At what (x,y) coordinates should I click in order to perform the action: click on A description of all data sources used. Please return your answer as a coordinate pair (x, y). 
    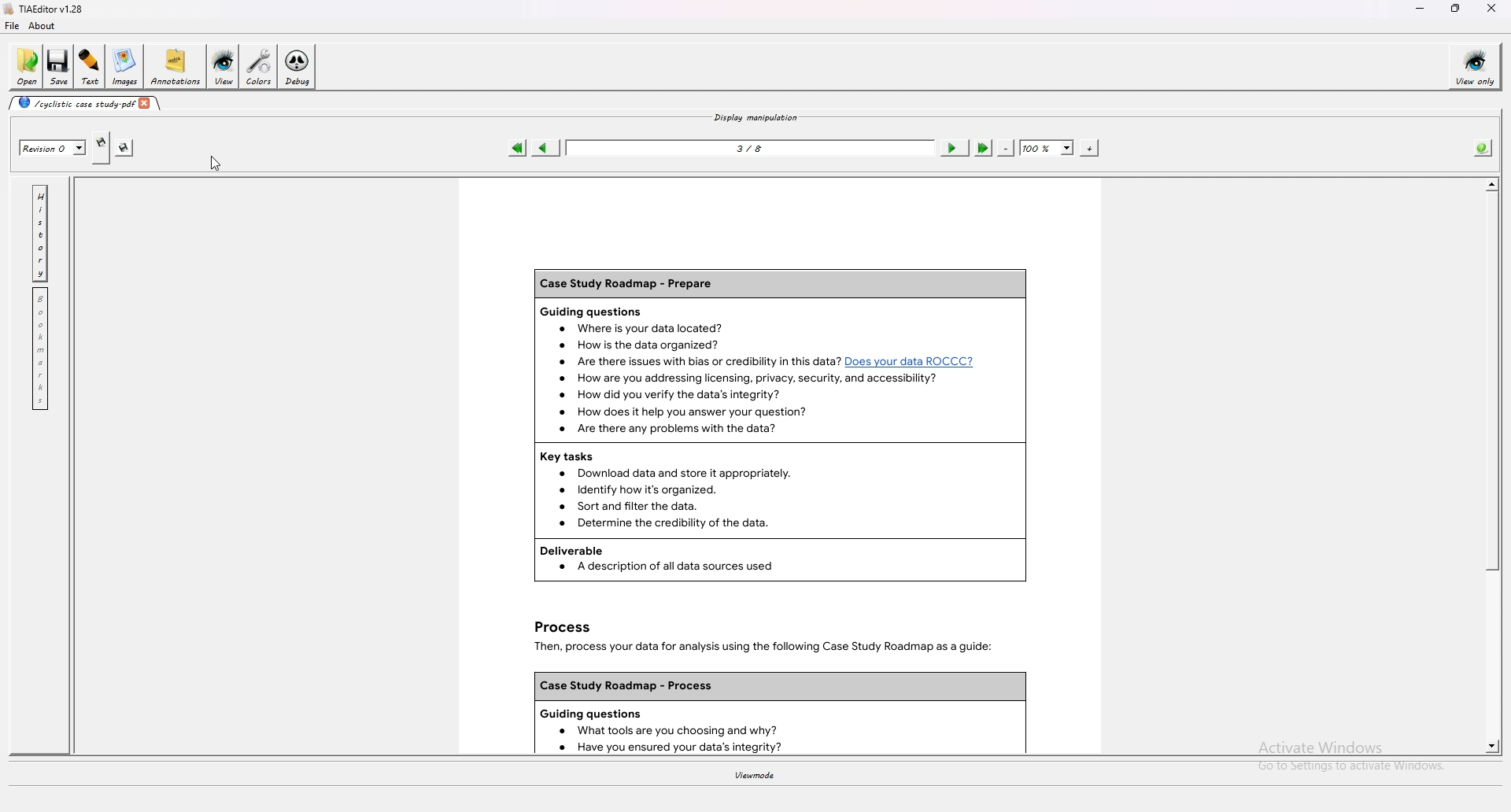
    Looking at the image, I should click on (713, 567).